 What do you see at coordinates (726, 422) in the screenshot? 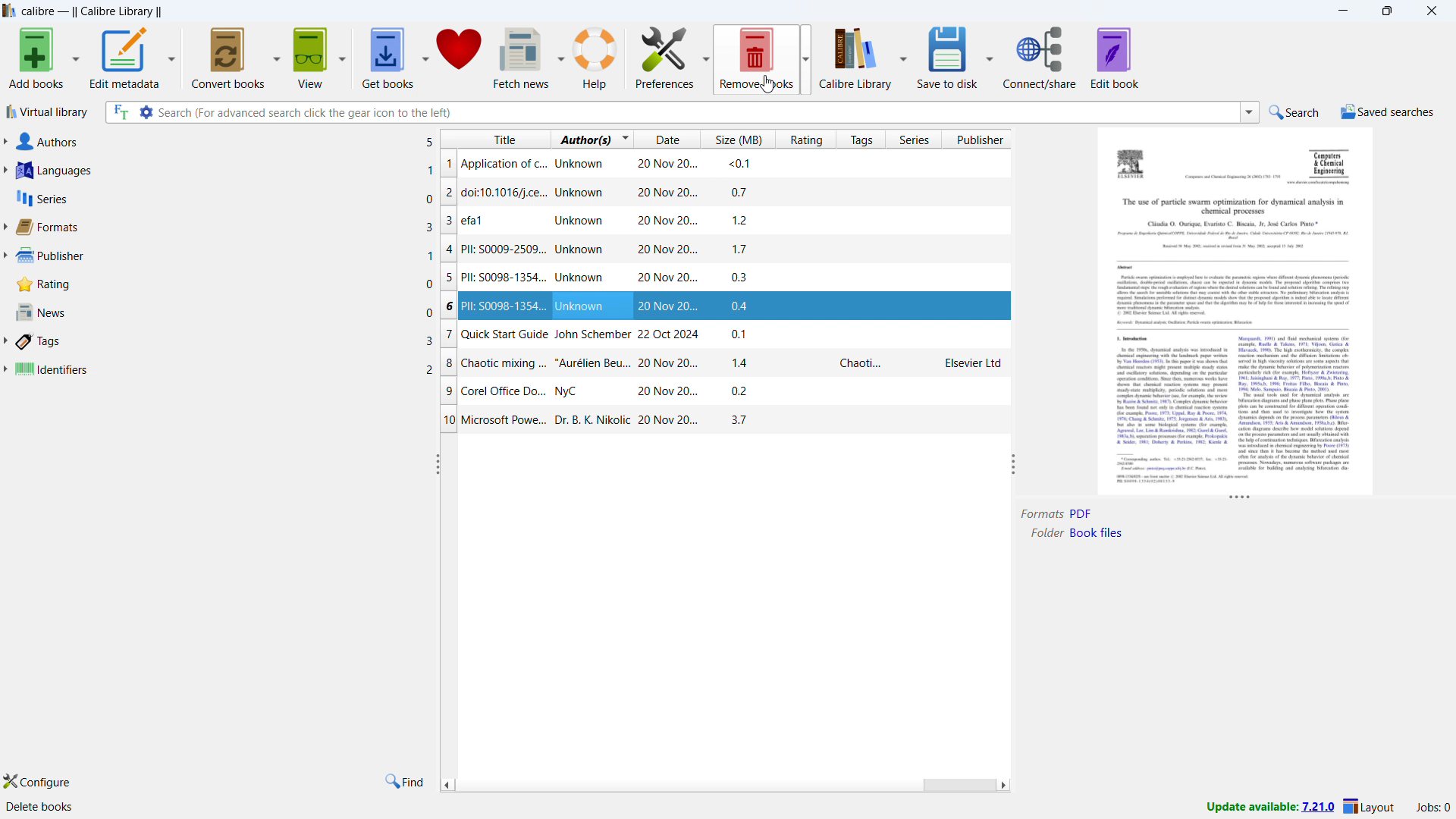
I see `Microsoft Power...` at bounding box center [726, 422].